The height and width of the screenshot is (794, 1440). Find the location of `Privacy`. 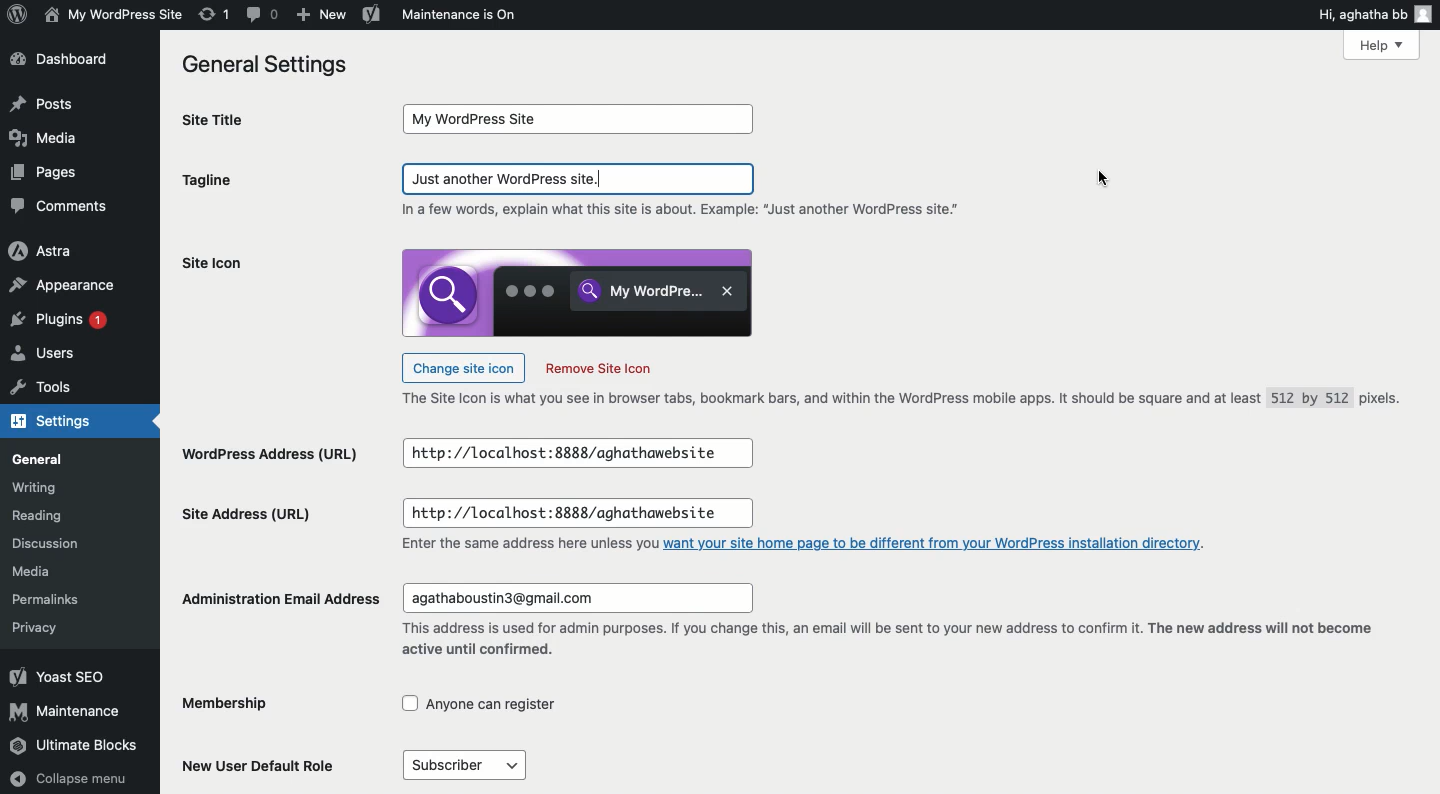

Privacy is located at coordinates (34, 627).